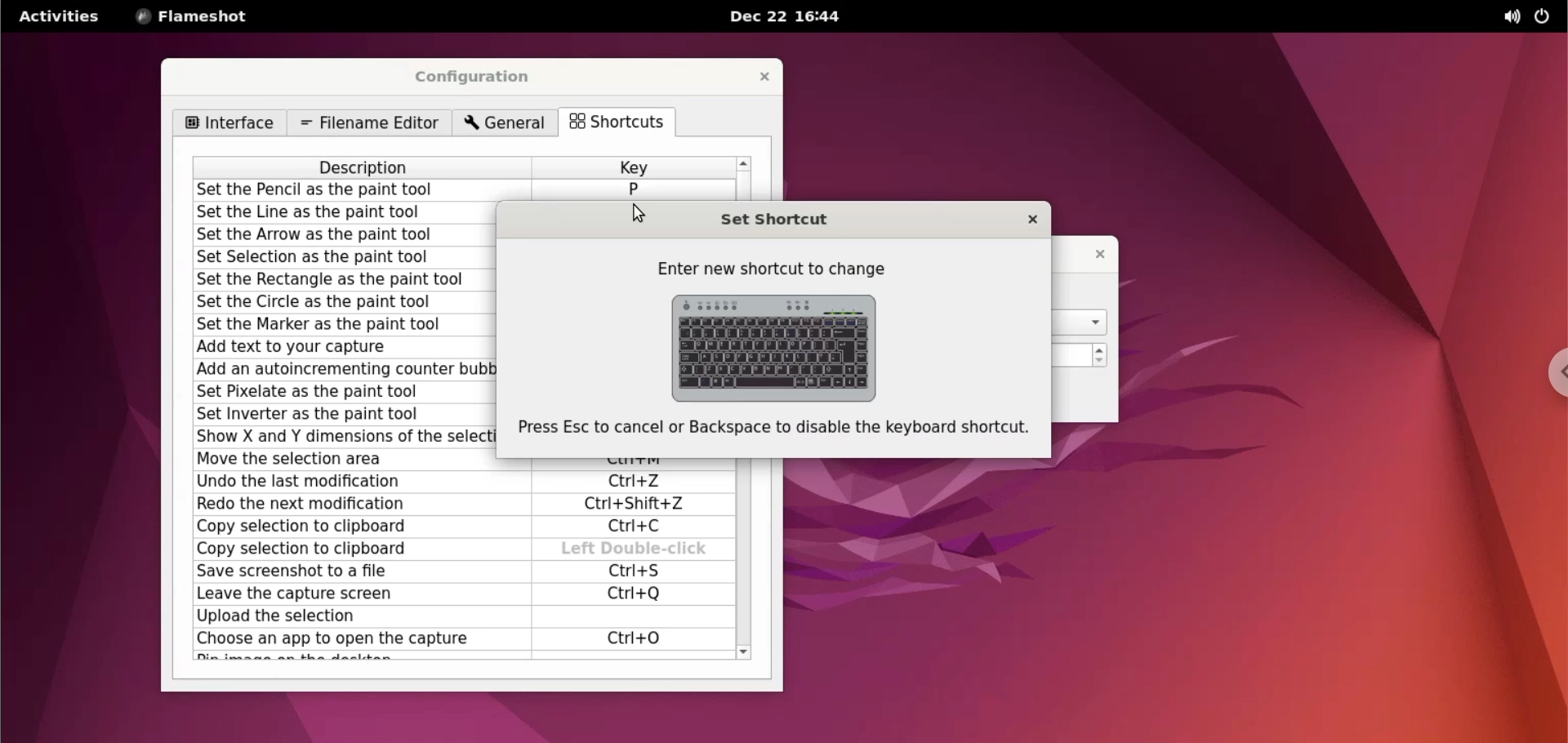 The height and width of the screenshot is (743, 1568). What do you see at coordinates (354, 572) in the screenshot?
I see `save screenshot to a file` at bounding box center [354, 572].